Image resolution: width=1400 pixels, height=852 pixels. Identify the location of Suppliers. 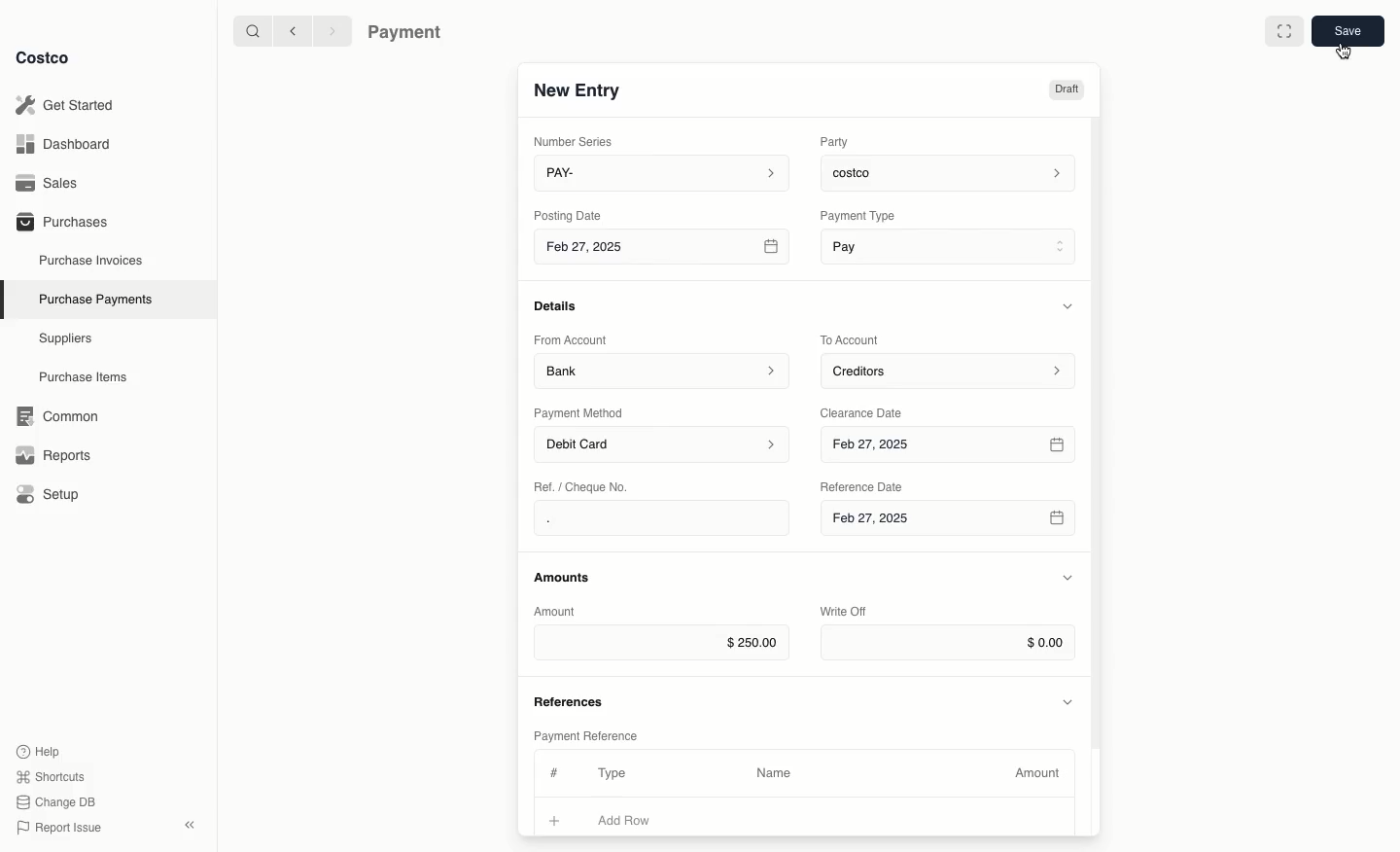
(66, 337).